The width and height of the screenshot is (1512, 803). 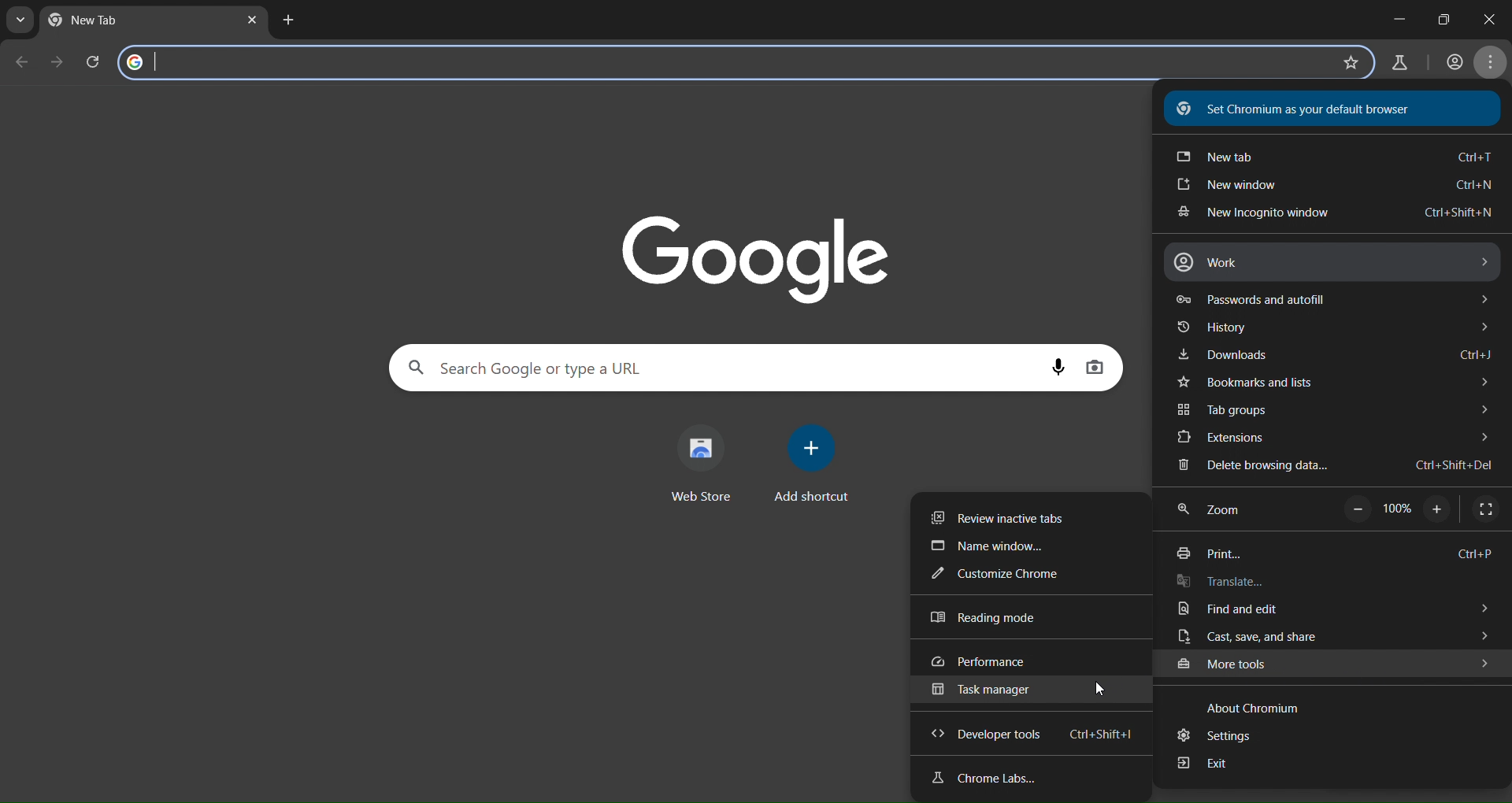 What do you see at coordinates (91, 20) in the screenshot?
I see `current tab` at bounding box center [91, 20].